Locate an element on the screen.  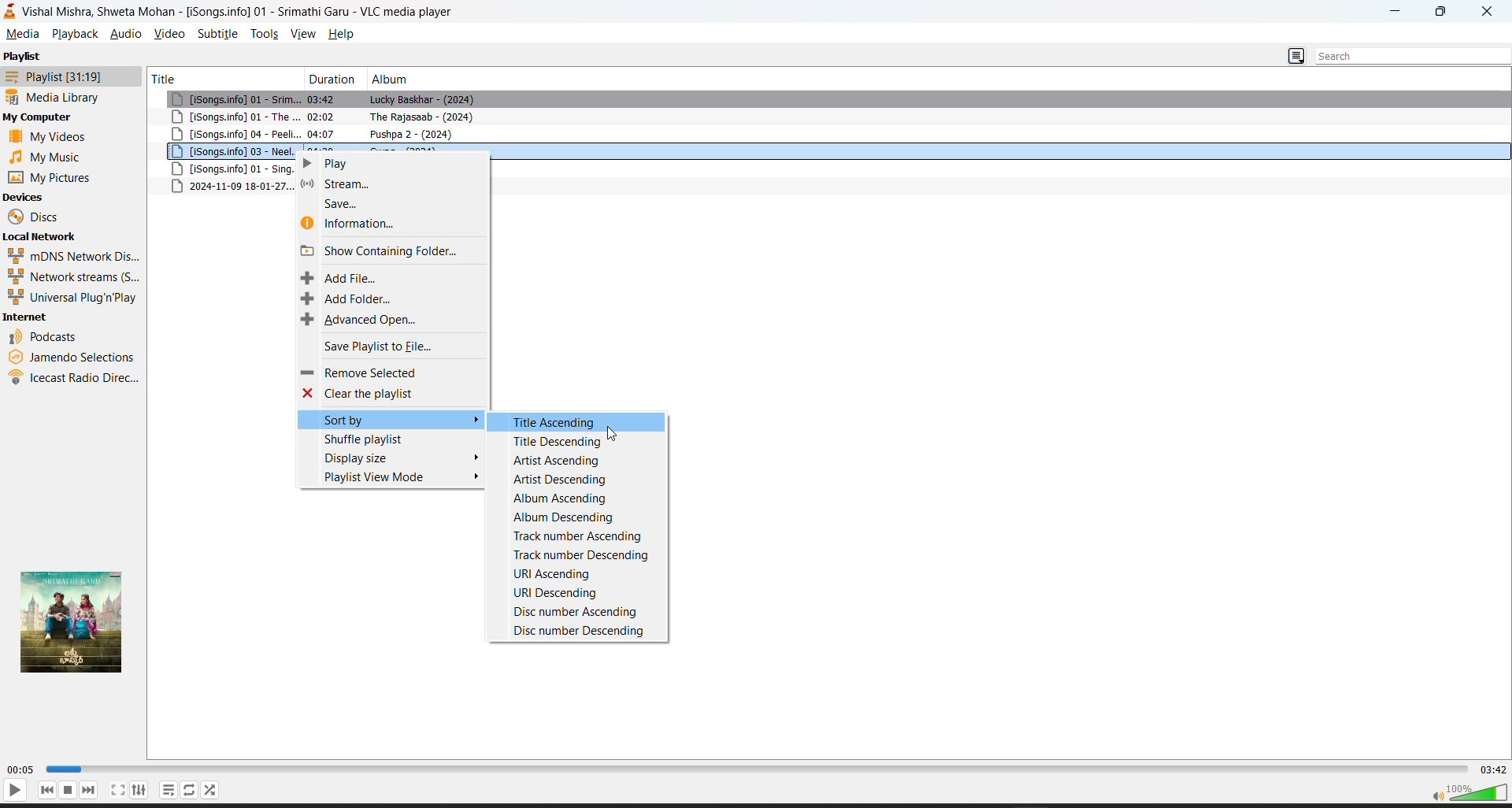
uri ascending is located at coordinates (578, 573).